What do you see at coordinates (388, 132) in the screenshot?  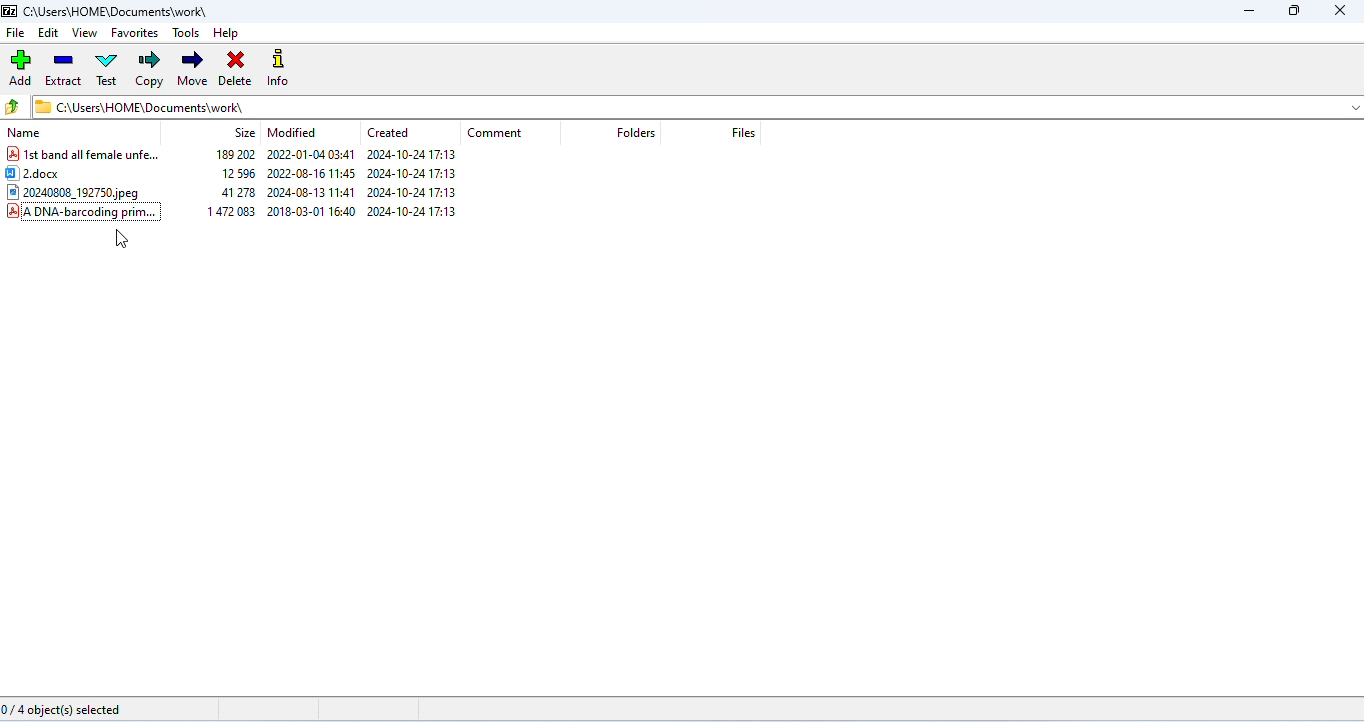 I see `created` at bounding box center [388, 132].